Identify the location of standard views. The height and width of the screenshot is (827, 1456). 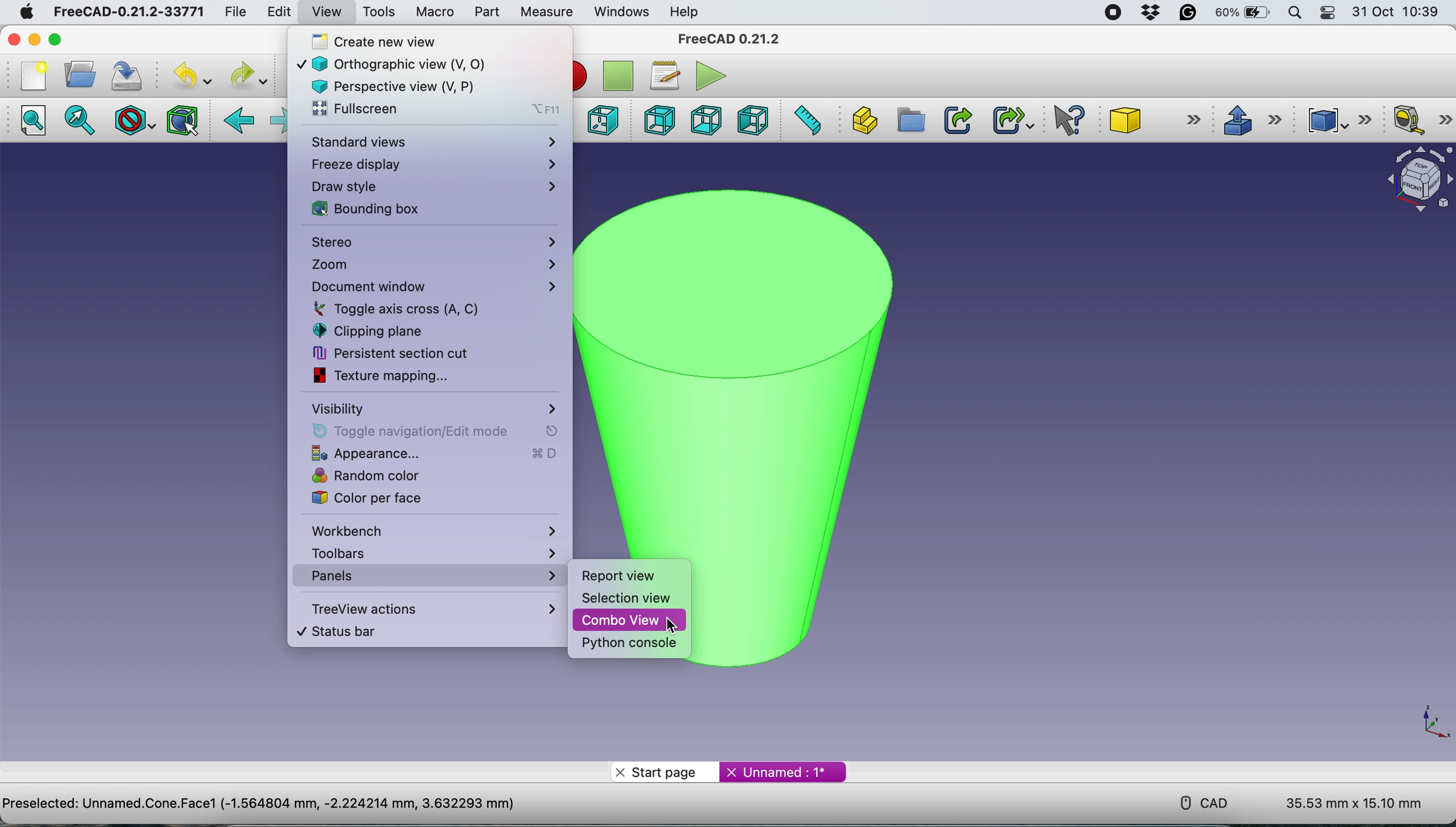
(433, 143).